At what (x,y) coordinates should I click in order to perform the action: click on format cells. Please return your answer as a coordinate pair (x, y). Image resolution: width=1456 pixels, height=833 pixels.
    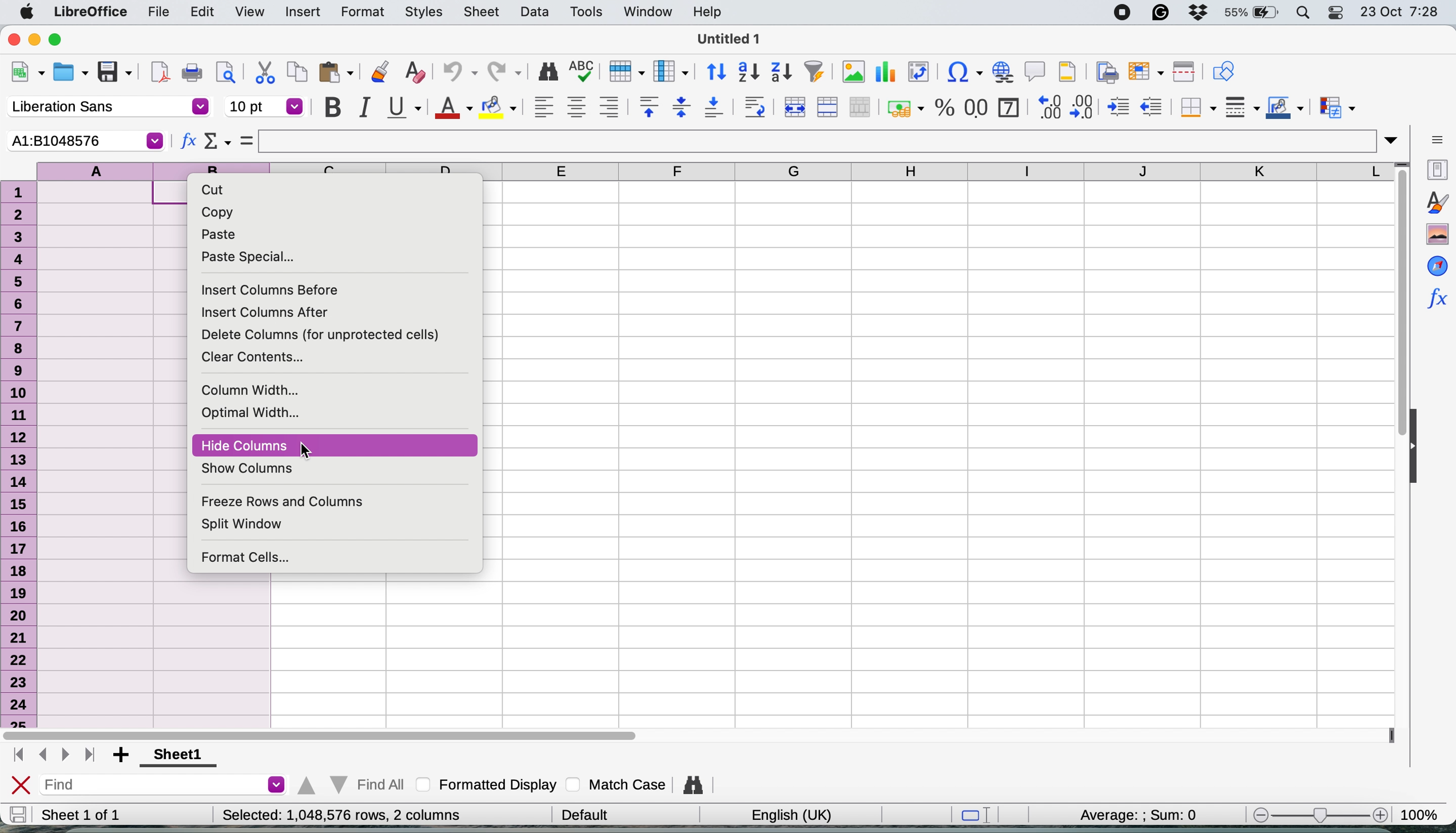
    Looking at the image, I should click on (250, 561).